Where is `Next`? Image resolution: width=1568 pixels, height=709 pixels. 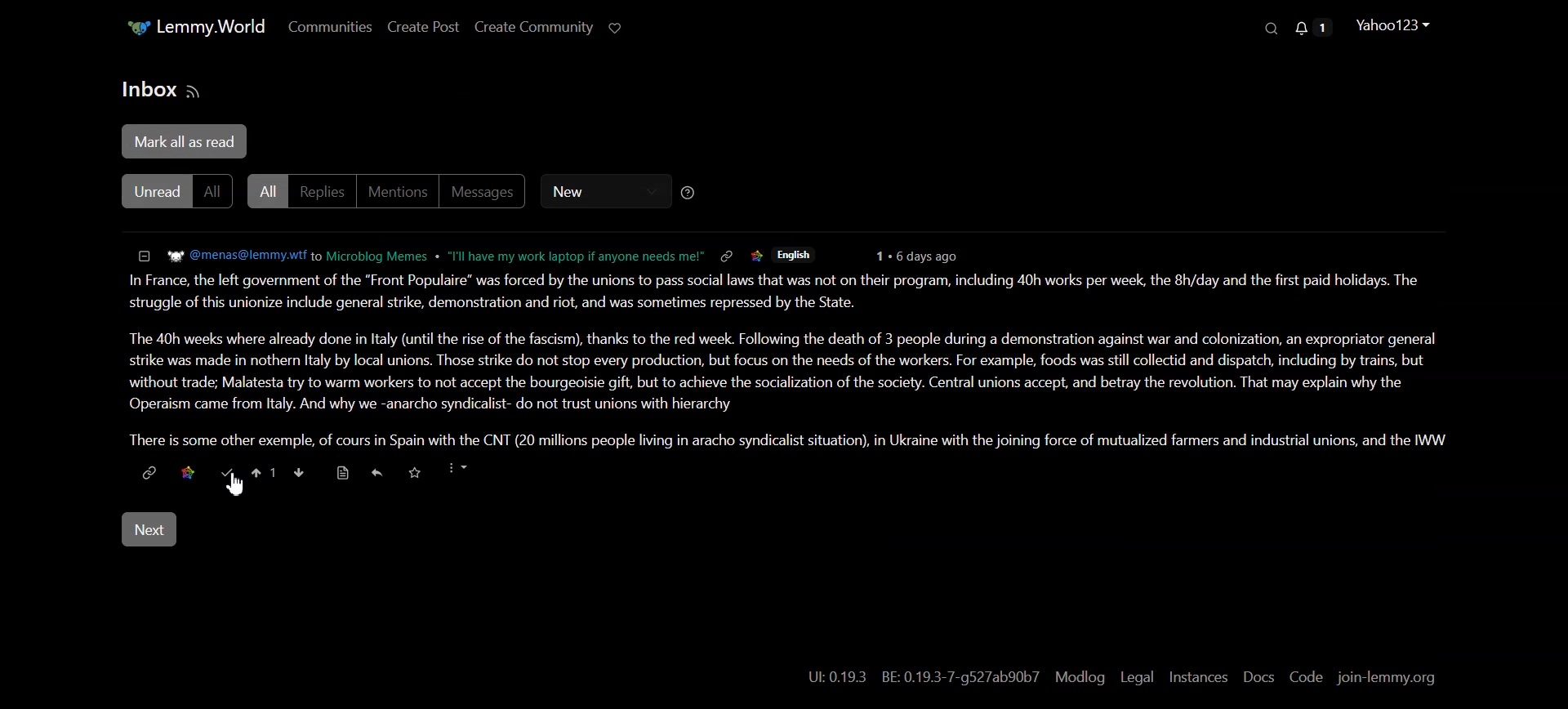 Next is located at coordinates (148, 529).